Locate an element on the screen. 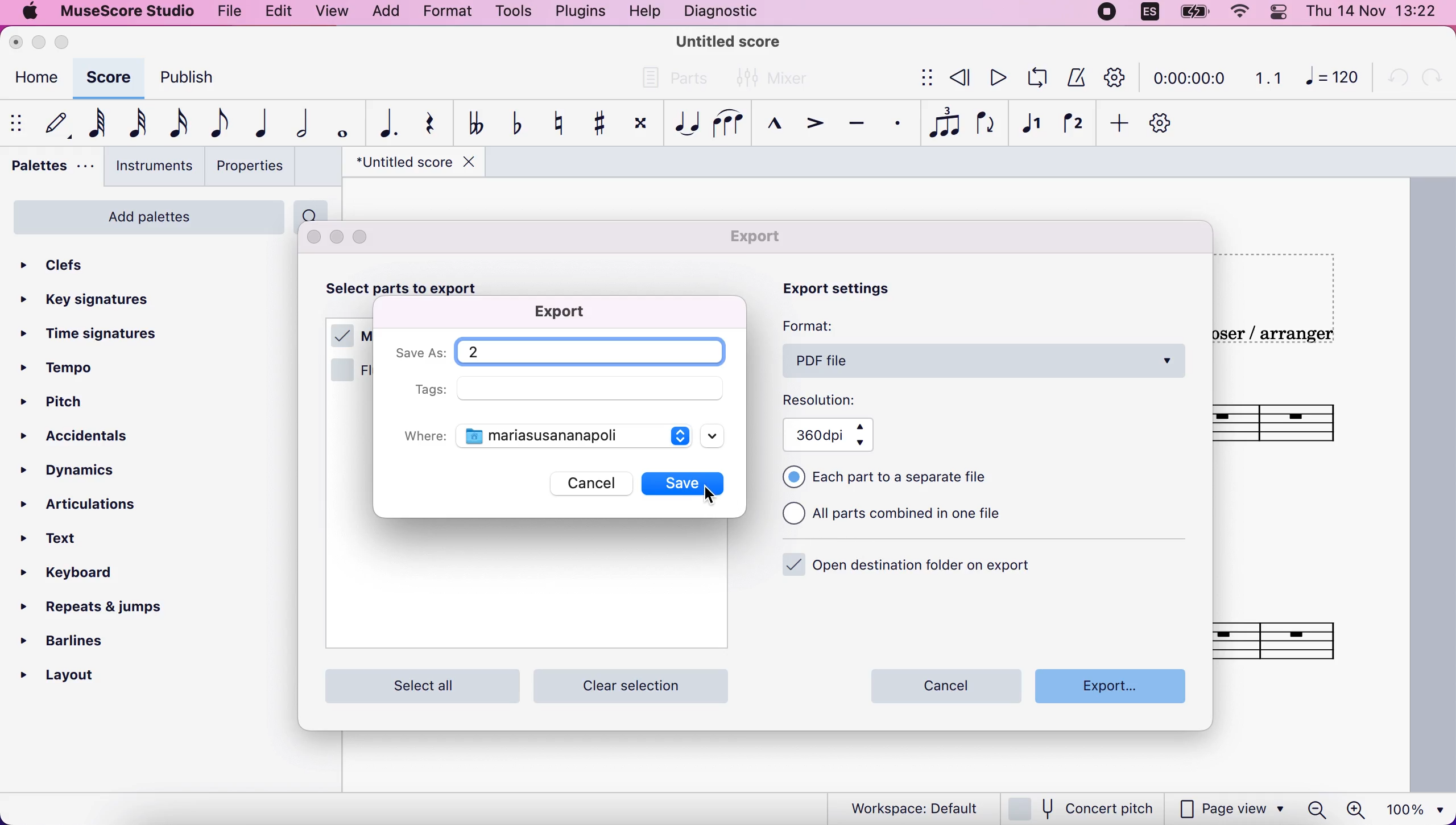  toggle flat is located at coordinates (514, 124).